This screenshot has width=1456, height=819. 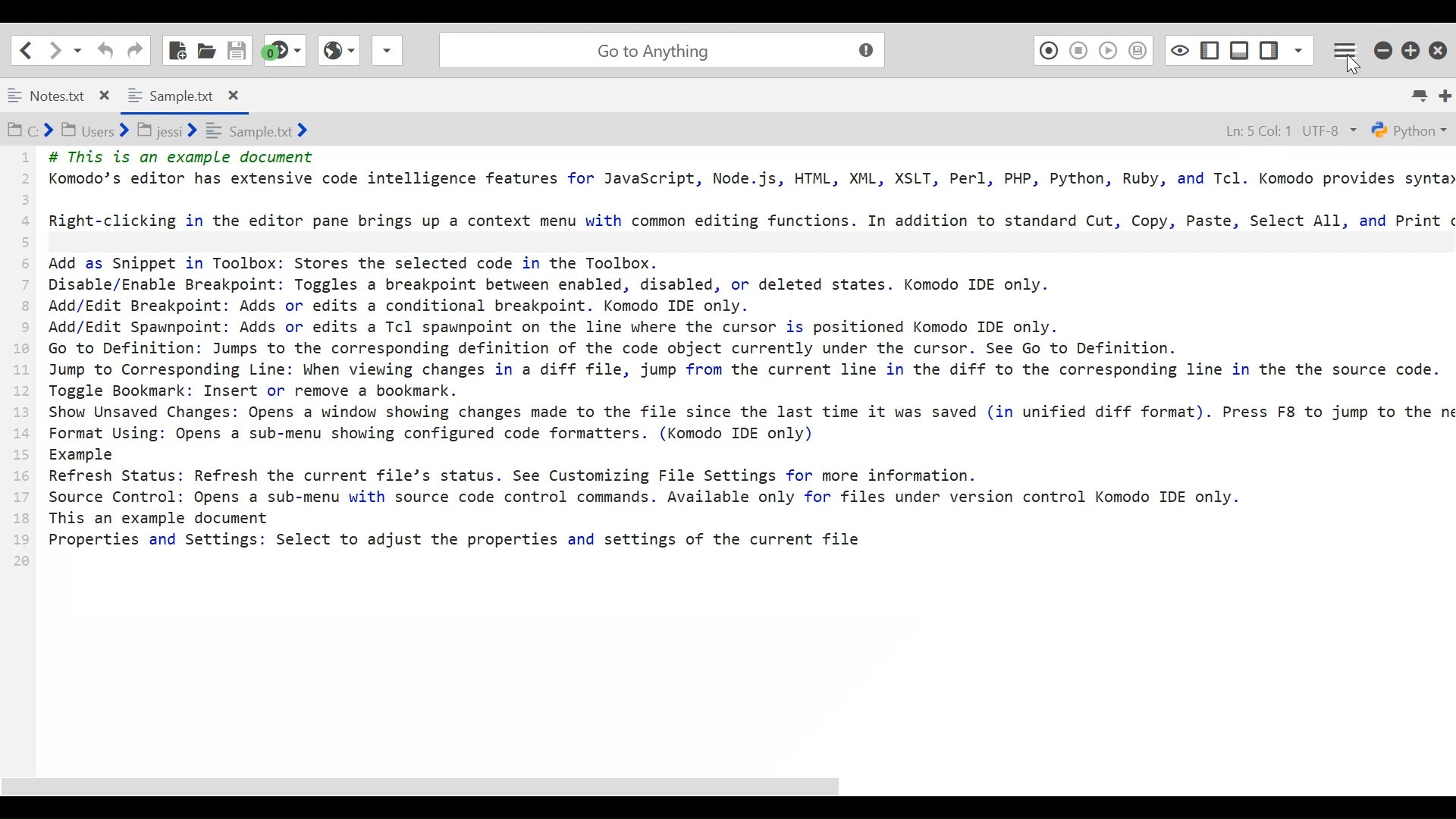 What do you see at coordinates (1384, 51) in the screenshot?
I see `minimize` at bounding box center [1384, 51].